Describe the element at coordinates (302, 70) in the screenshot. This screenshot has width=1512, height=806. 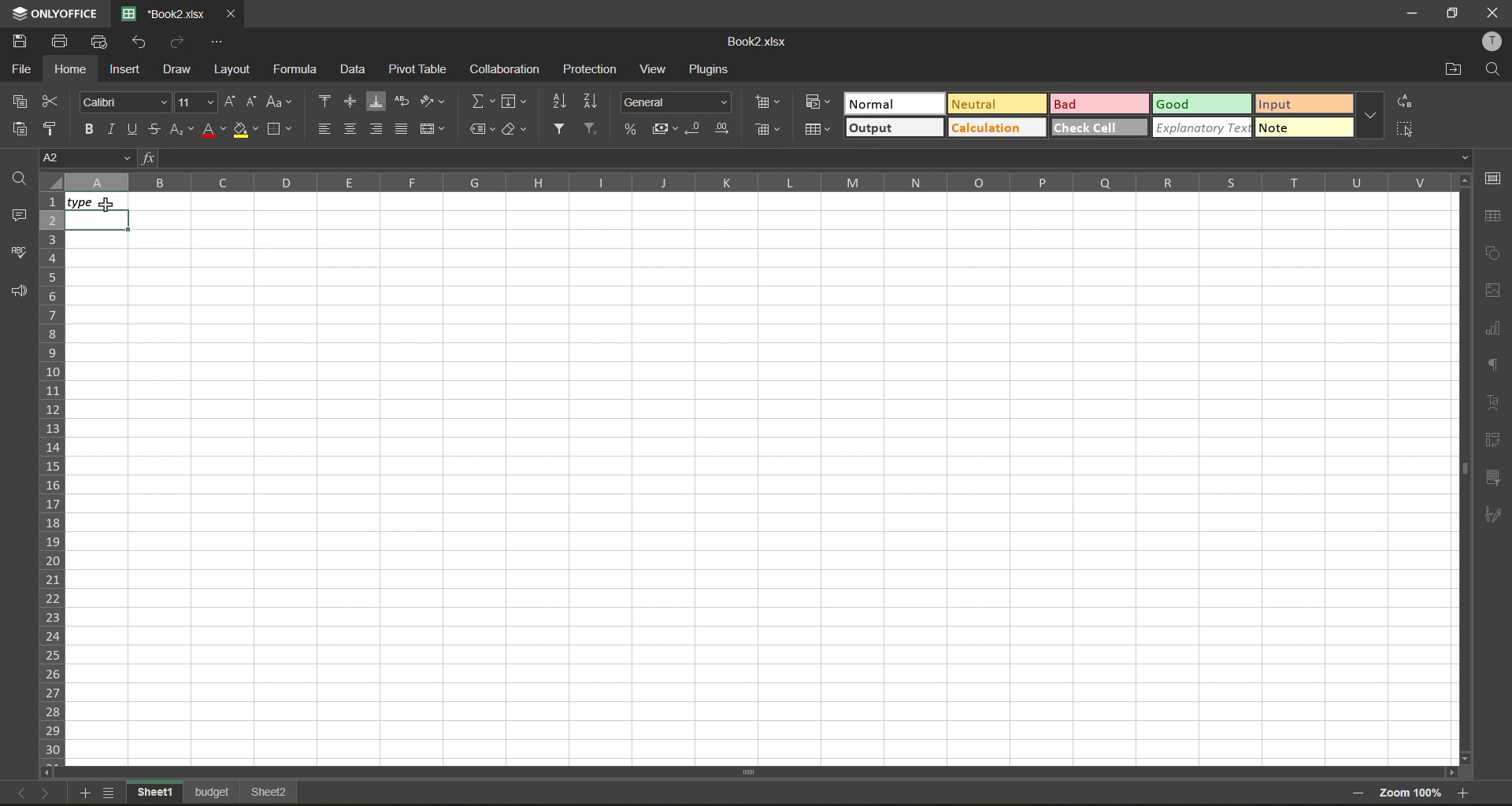
I see `formula` at that location.